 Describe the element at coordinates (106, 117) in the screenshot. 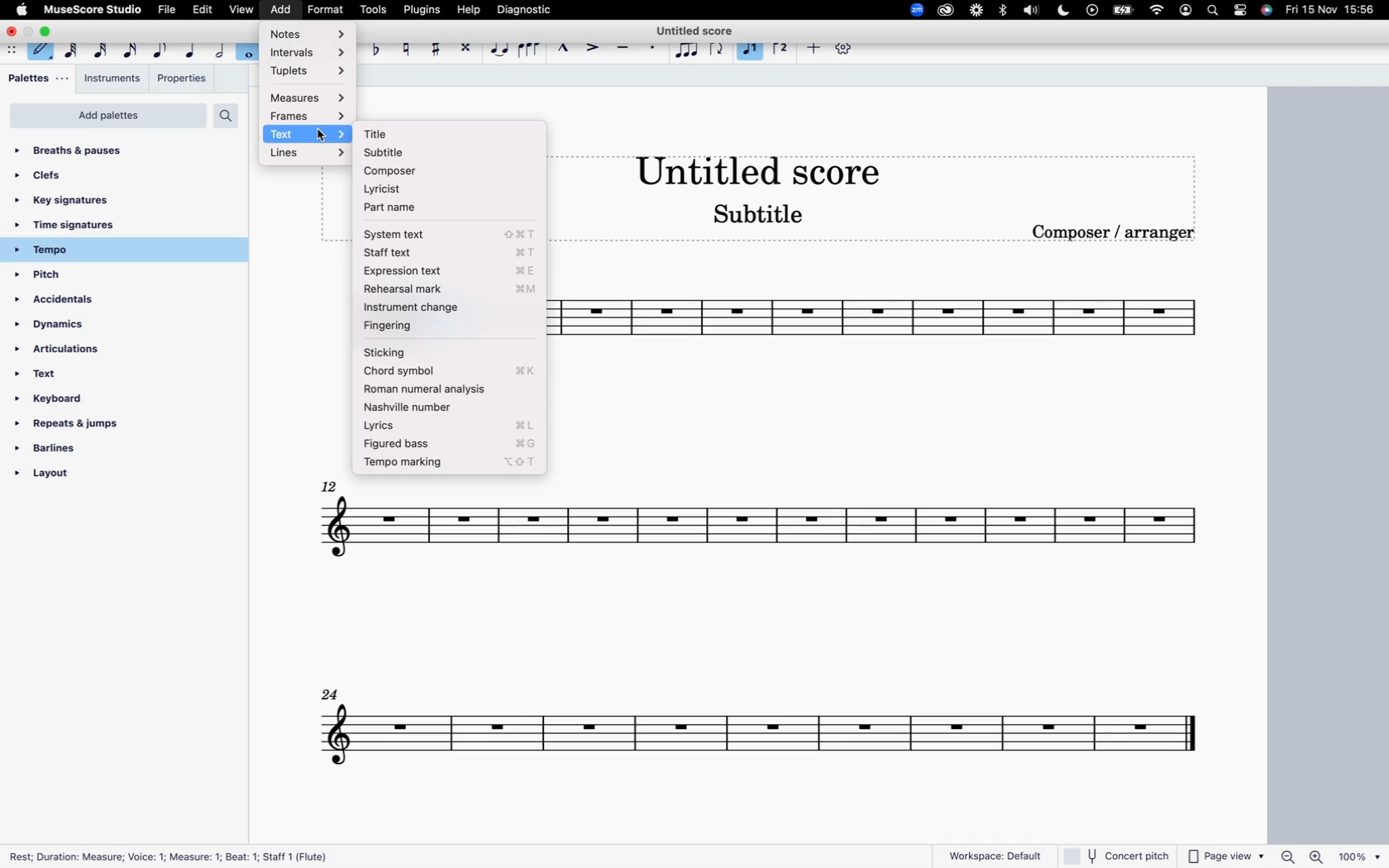

I see `add palettes` at that location.